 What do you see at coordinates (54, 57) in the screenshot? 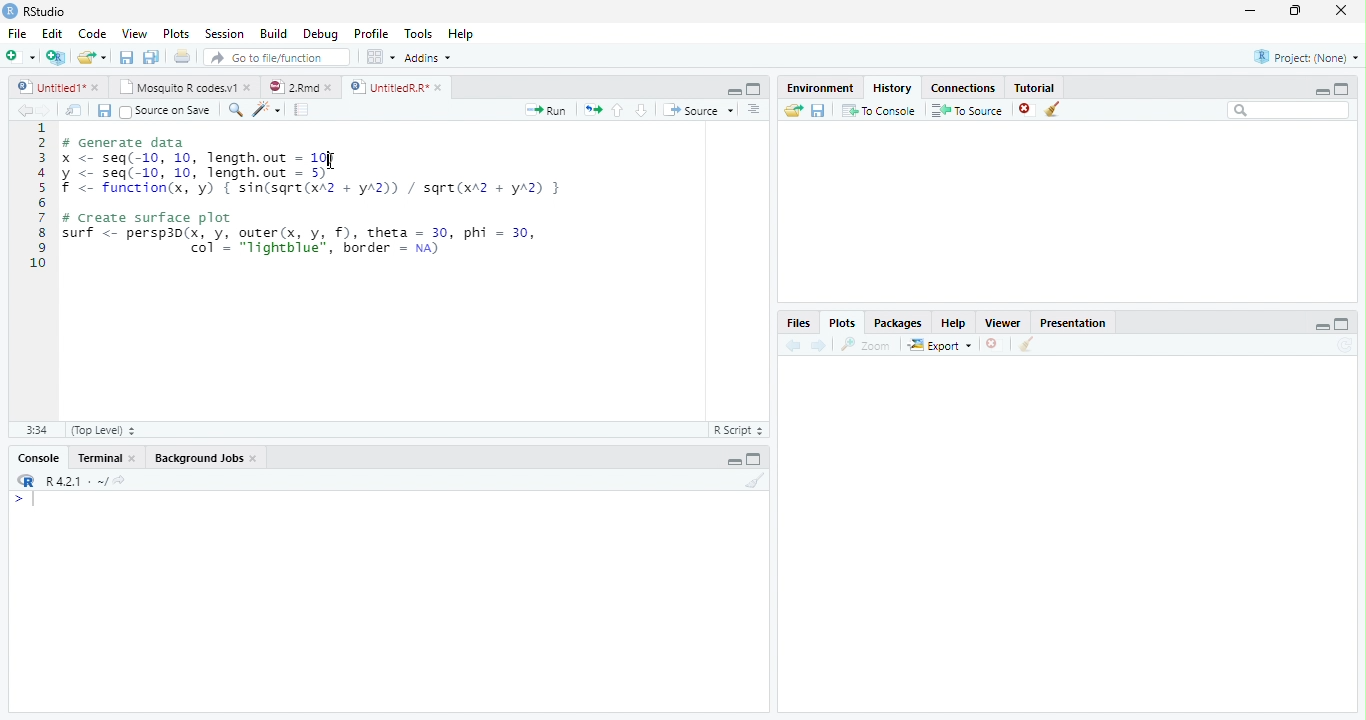
I see `Create a project` at bounding box center [54, 57].